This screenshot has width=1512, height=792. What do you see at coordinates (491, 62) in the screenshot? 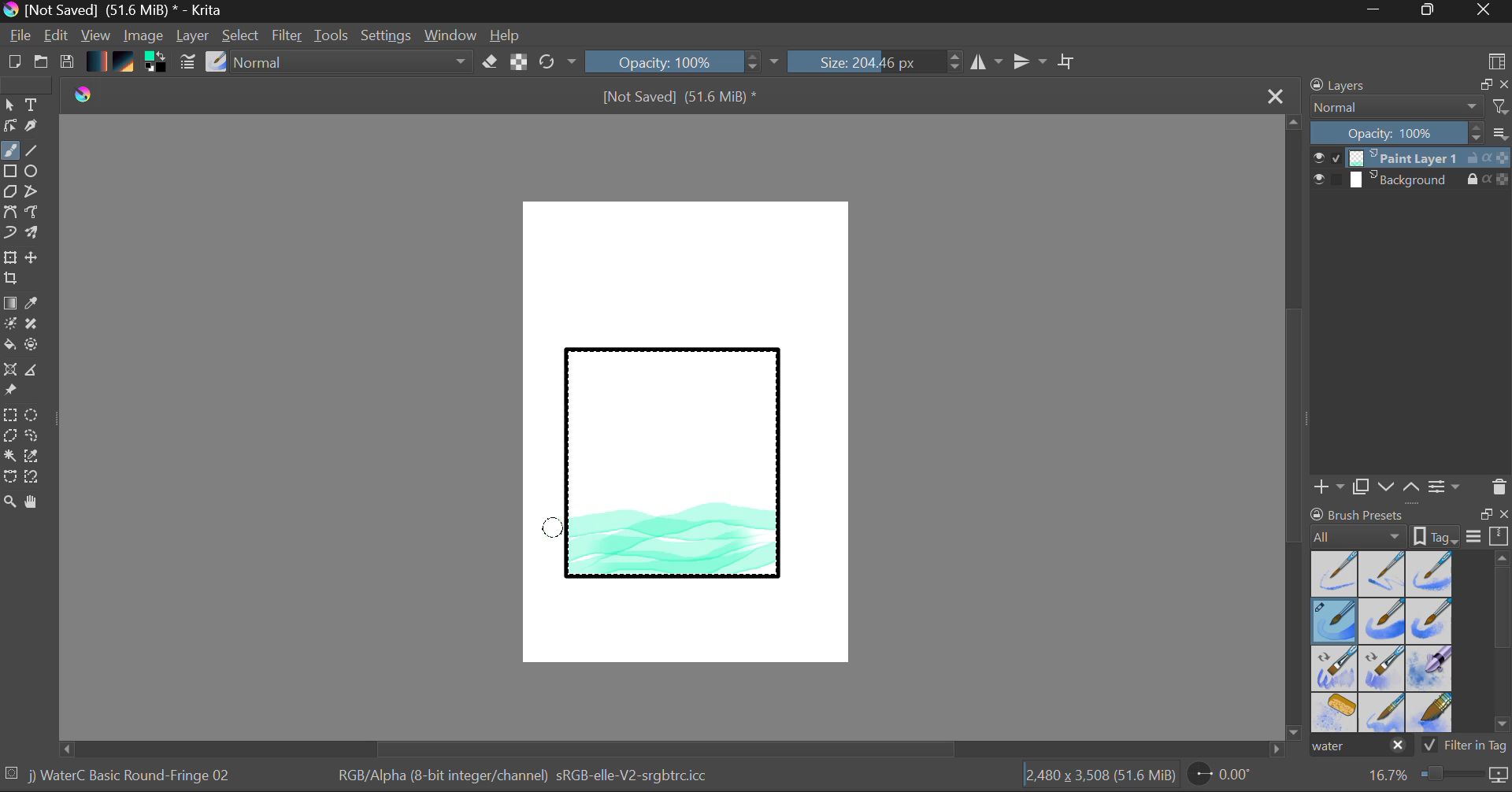
I see `Eraser` at bounding box center [491, 62].